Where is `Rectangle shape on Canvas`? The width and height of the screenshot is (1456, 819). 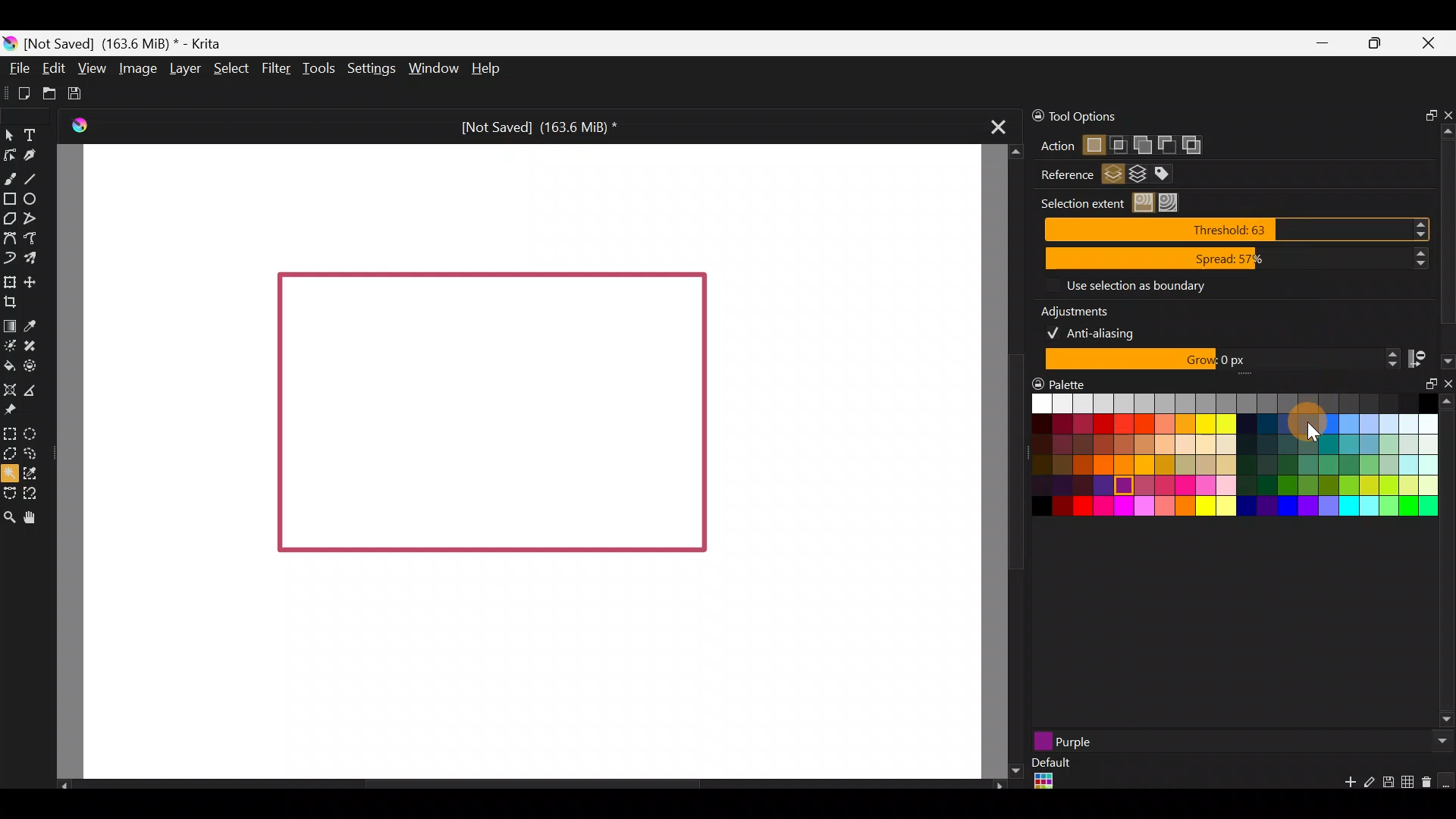 Rectangle shape on Canvas is located at coordinates (491, 415).